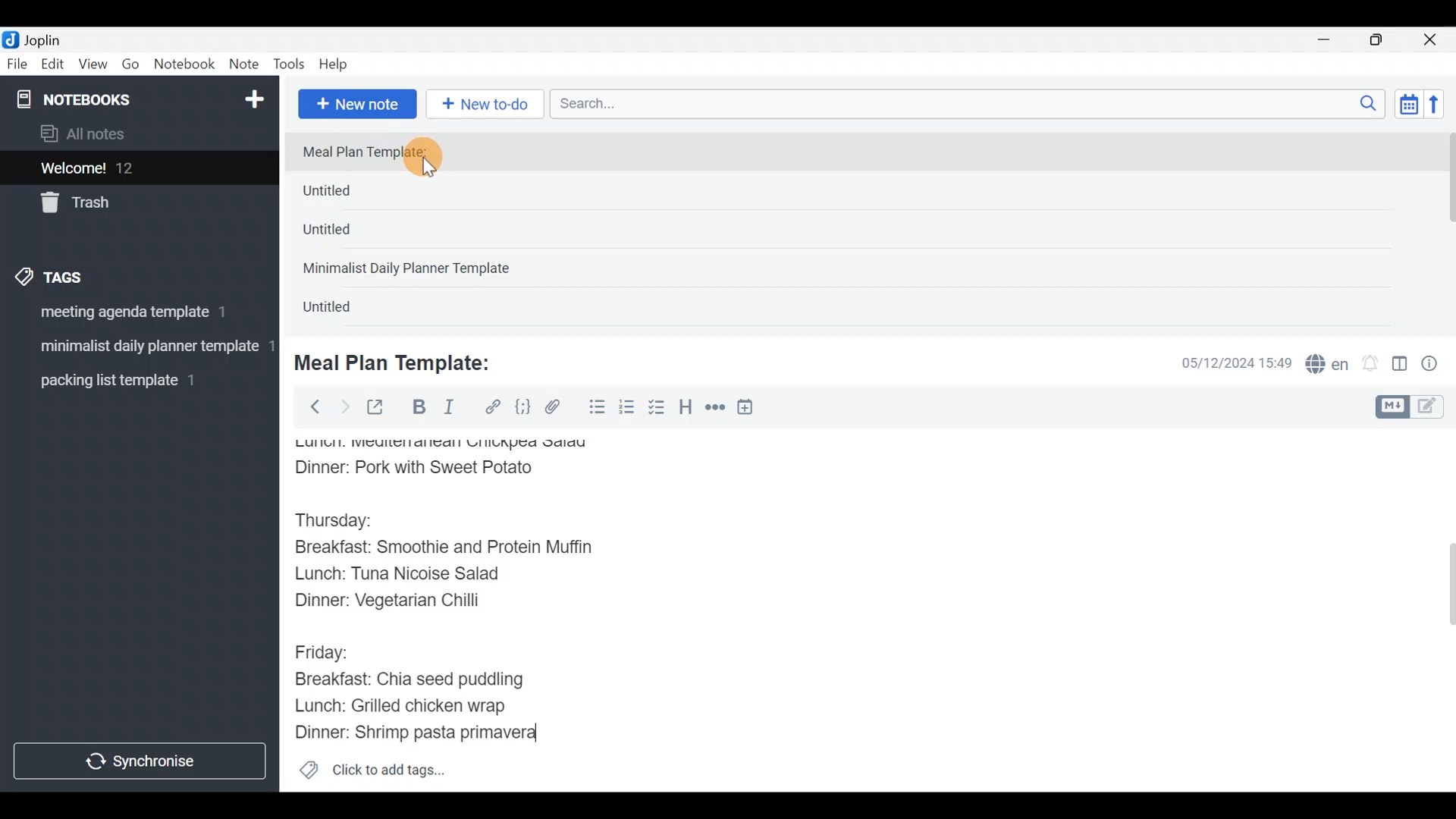 This screenshot has height=819, width=1456. I want to click on Welcome!, so click(137, 169).